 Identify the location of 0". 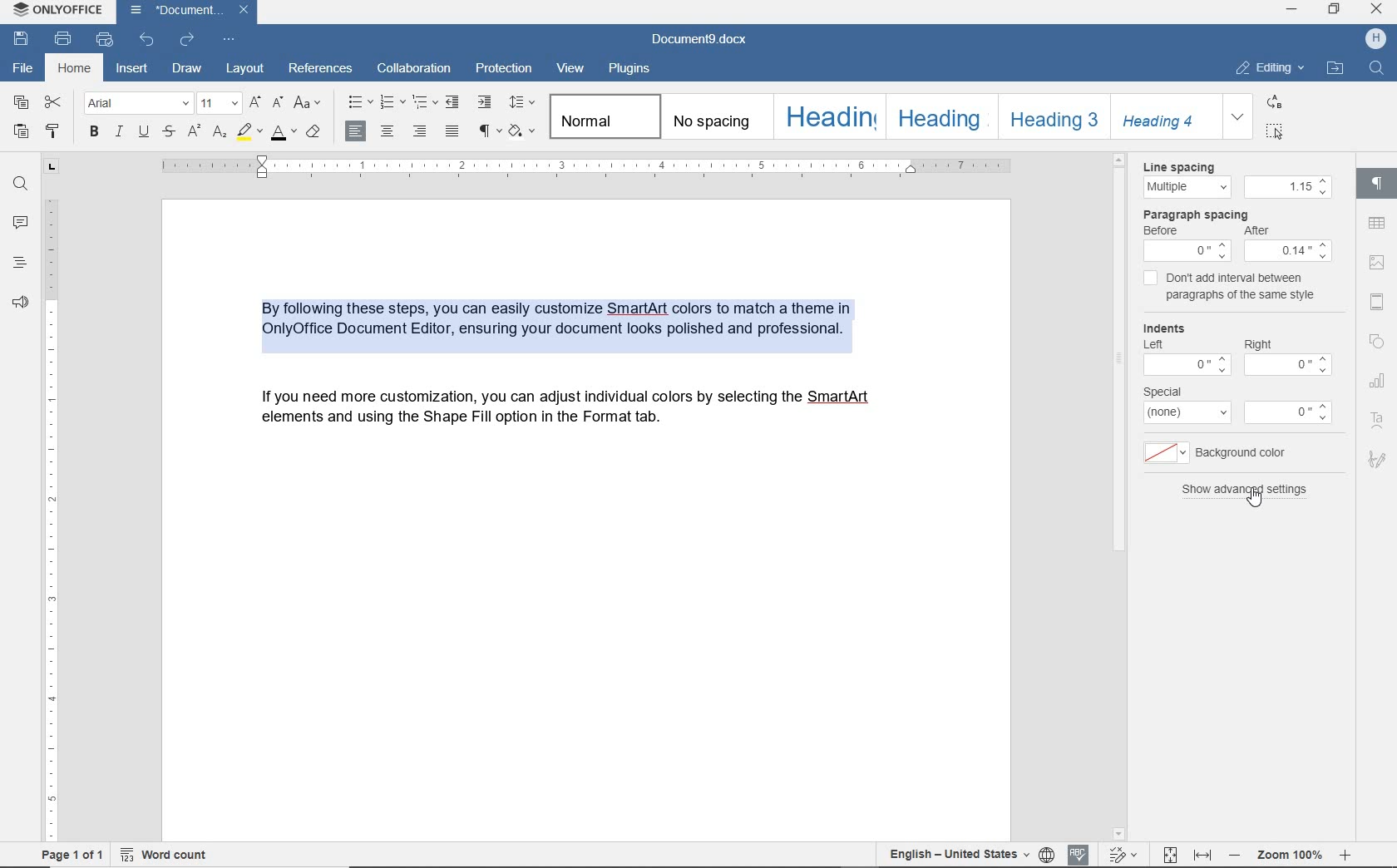
(1188, 251).